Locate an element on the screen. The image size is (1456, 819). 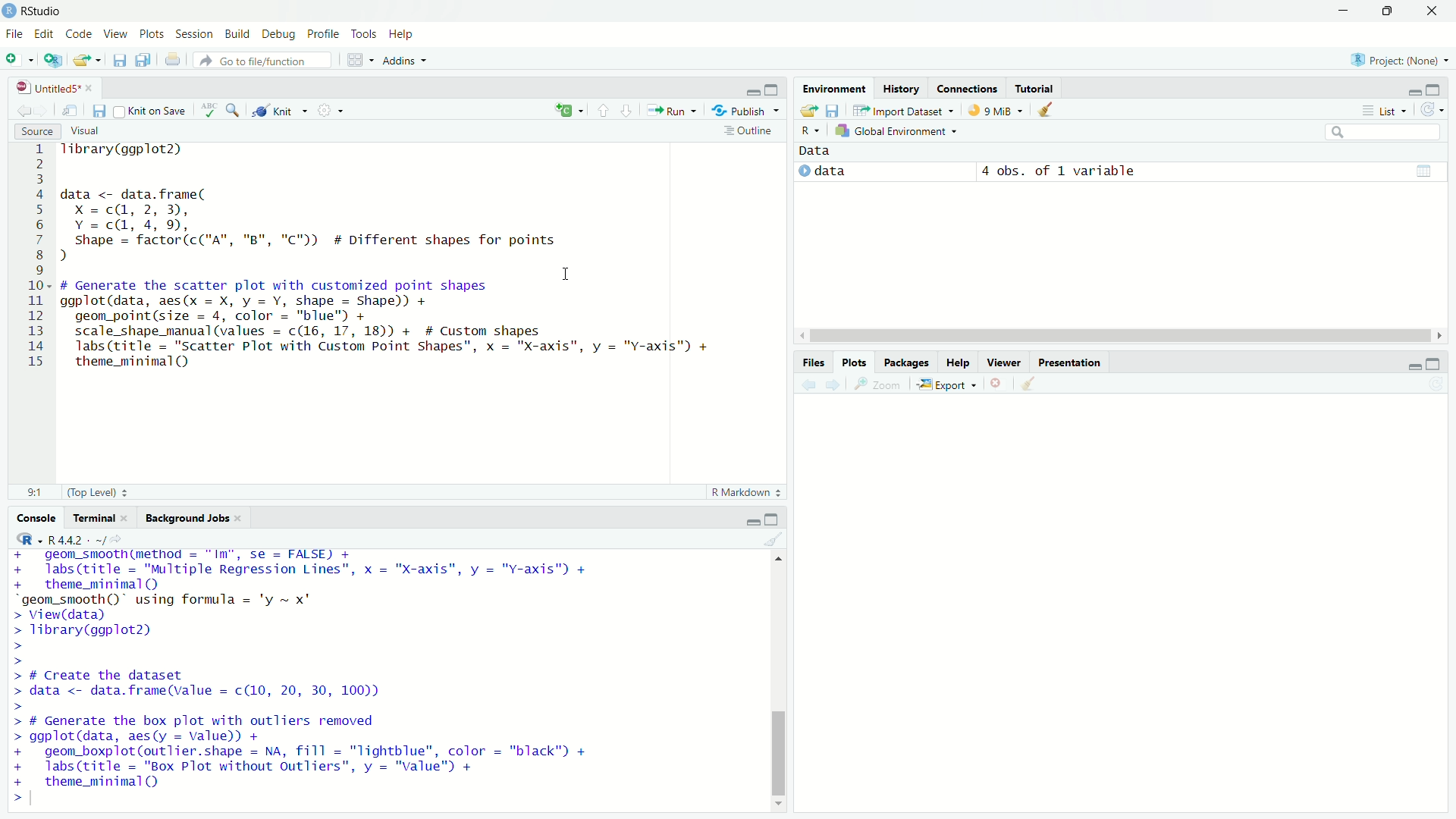
Workspace panes is located at coordinates (359, 60).